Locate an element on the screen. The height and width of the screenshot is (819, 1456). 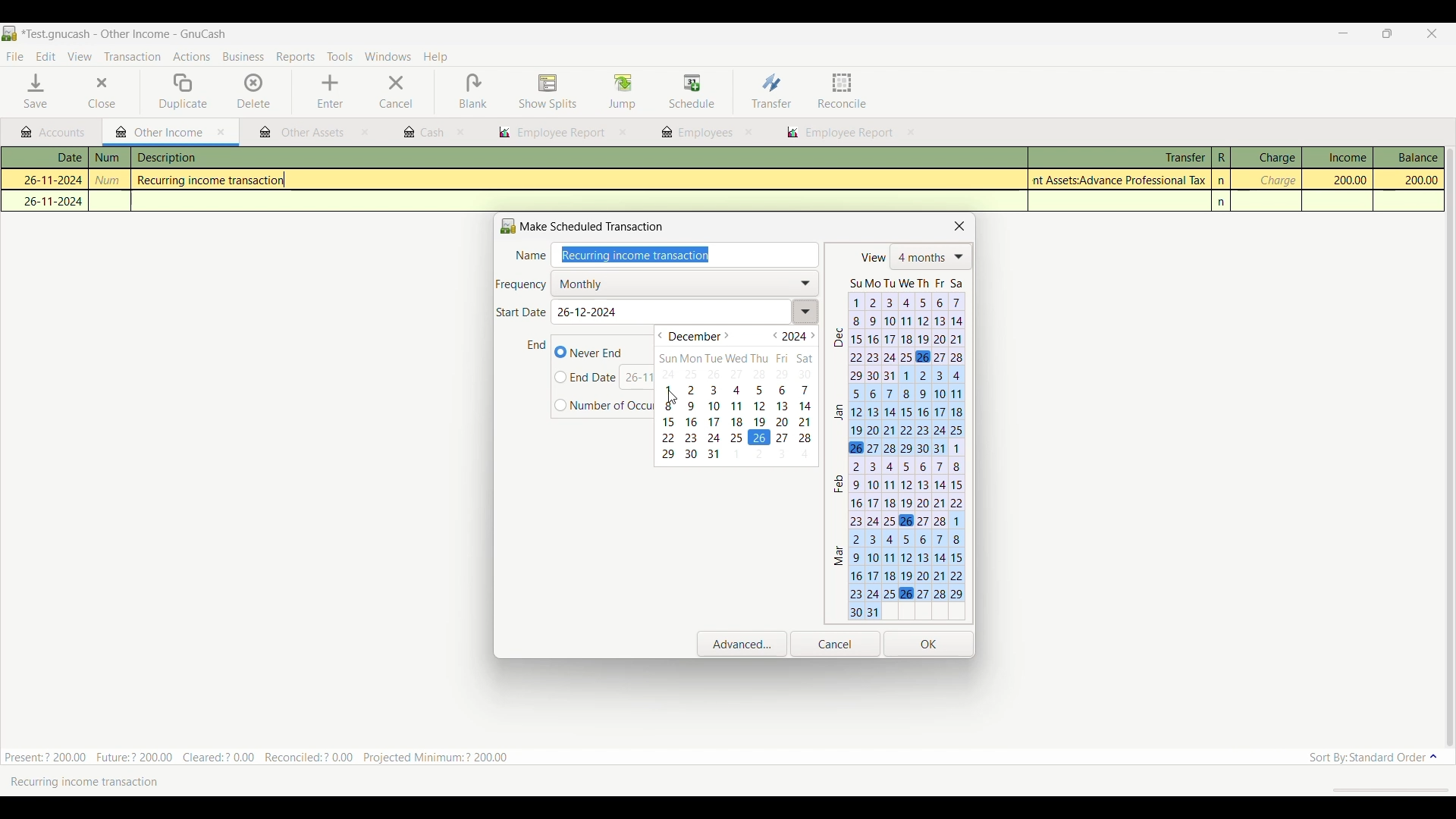
Tools menu is located at coordinates (340, 58).